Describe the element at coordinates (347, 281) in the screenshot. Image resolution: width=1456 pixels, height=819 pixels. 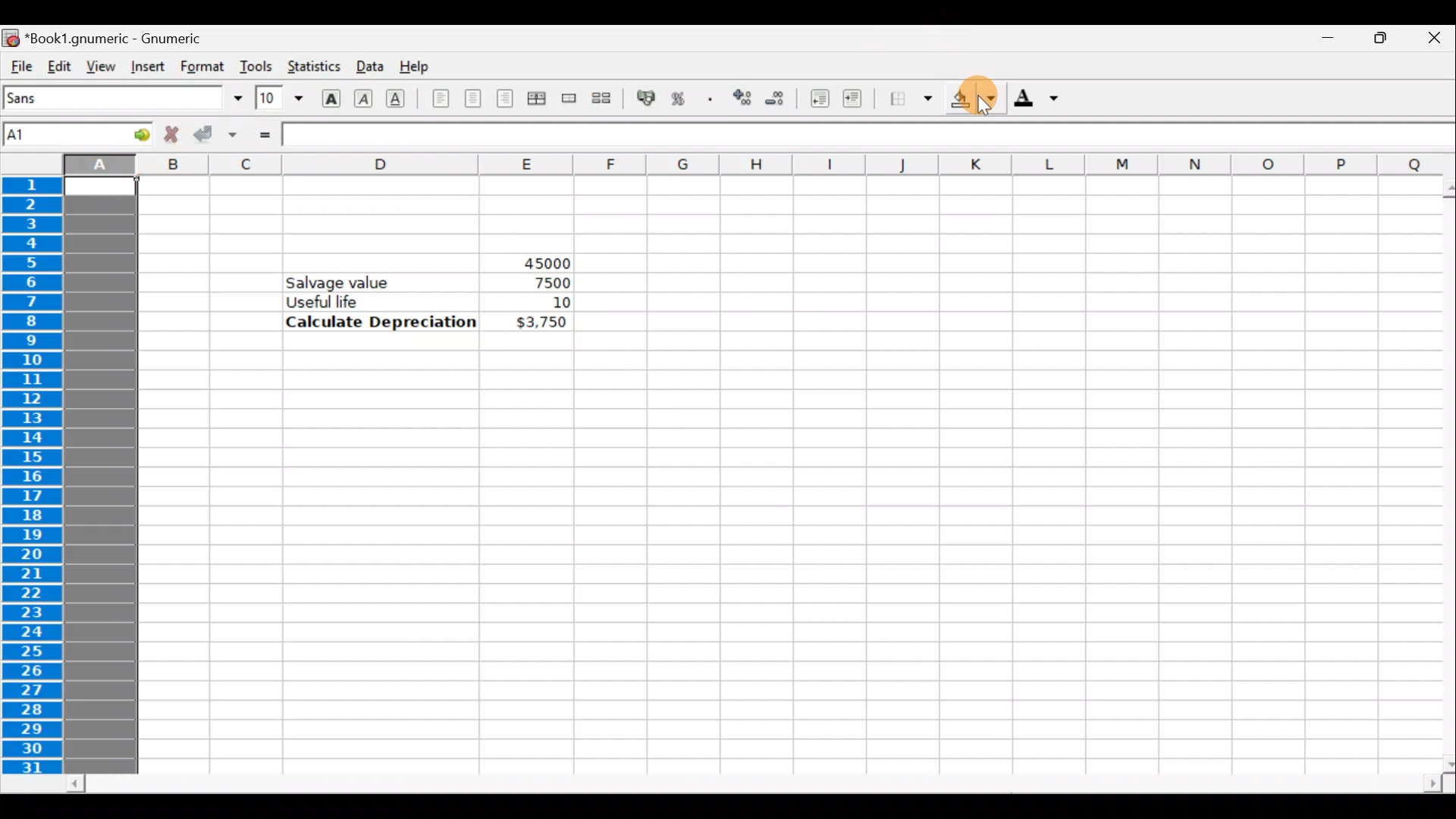
I see `Salvage value` at that location.